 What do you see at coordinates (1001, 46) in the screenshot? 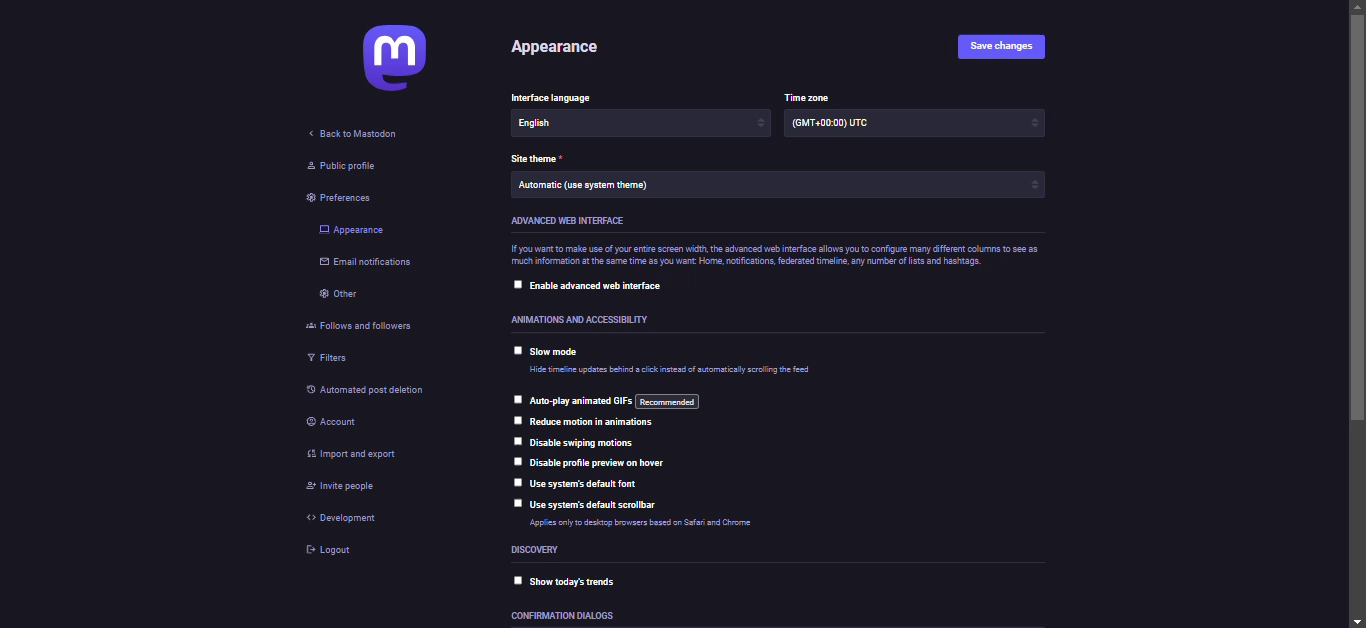
I see `save changes` at bounding box center [1001, 46].